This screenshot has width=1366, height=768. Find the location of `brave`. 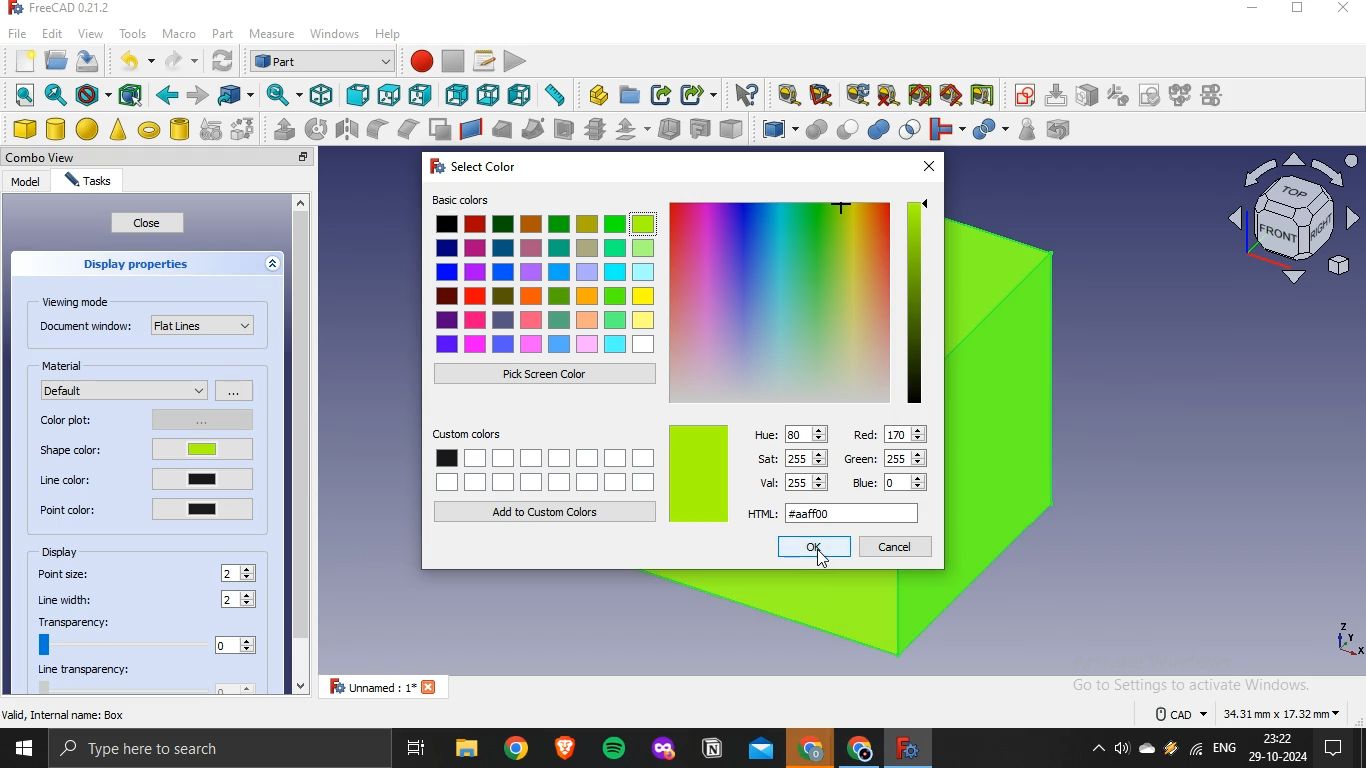

brave is located at coordinates (565, 747).